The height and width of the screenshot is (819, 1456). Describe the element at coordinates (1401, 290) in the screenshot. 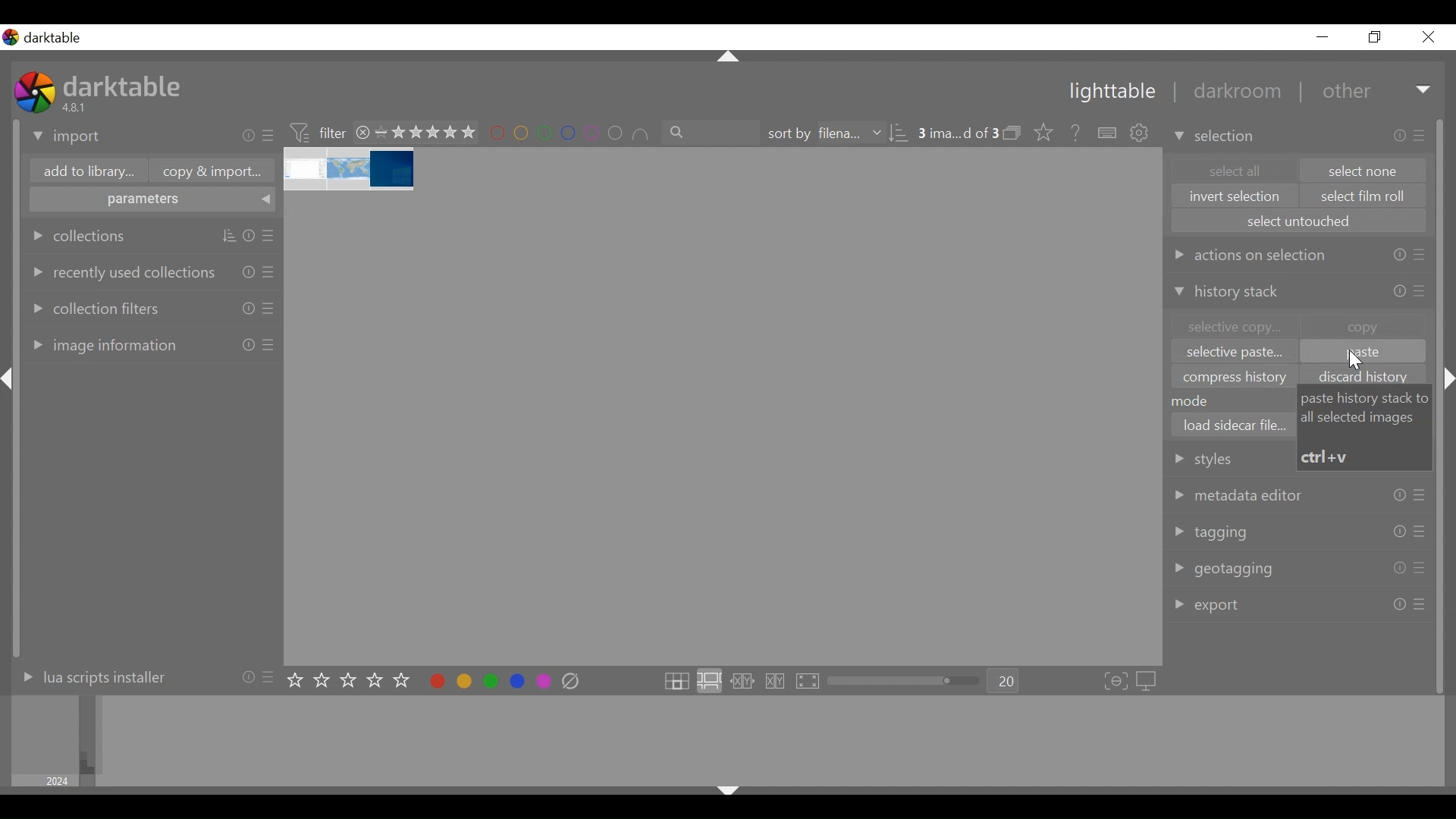

I see `info` at that location.